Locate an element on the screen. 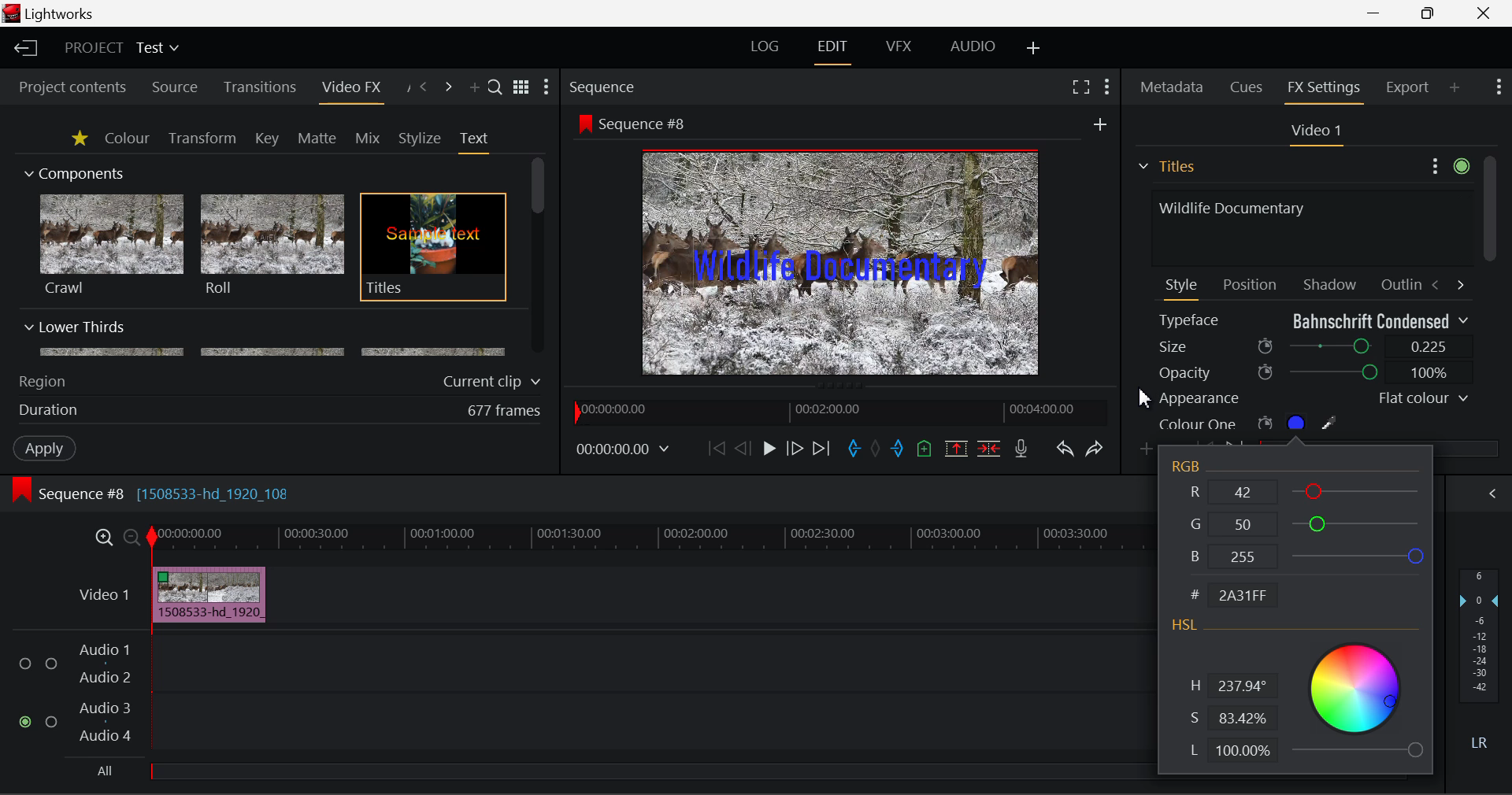 The width and height of the screenshot is (1512, 795). B is located at coordinates (1304, 556).